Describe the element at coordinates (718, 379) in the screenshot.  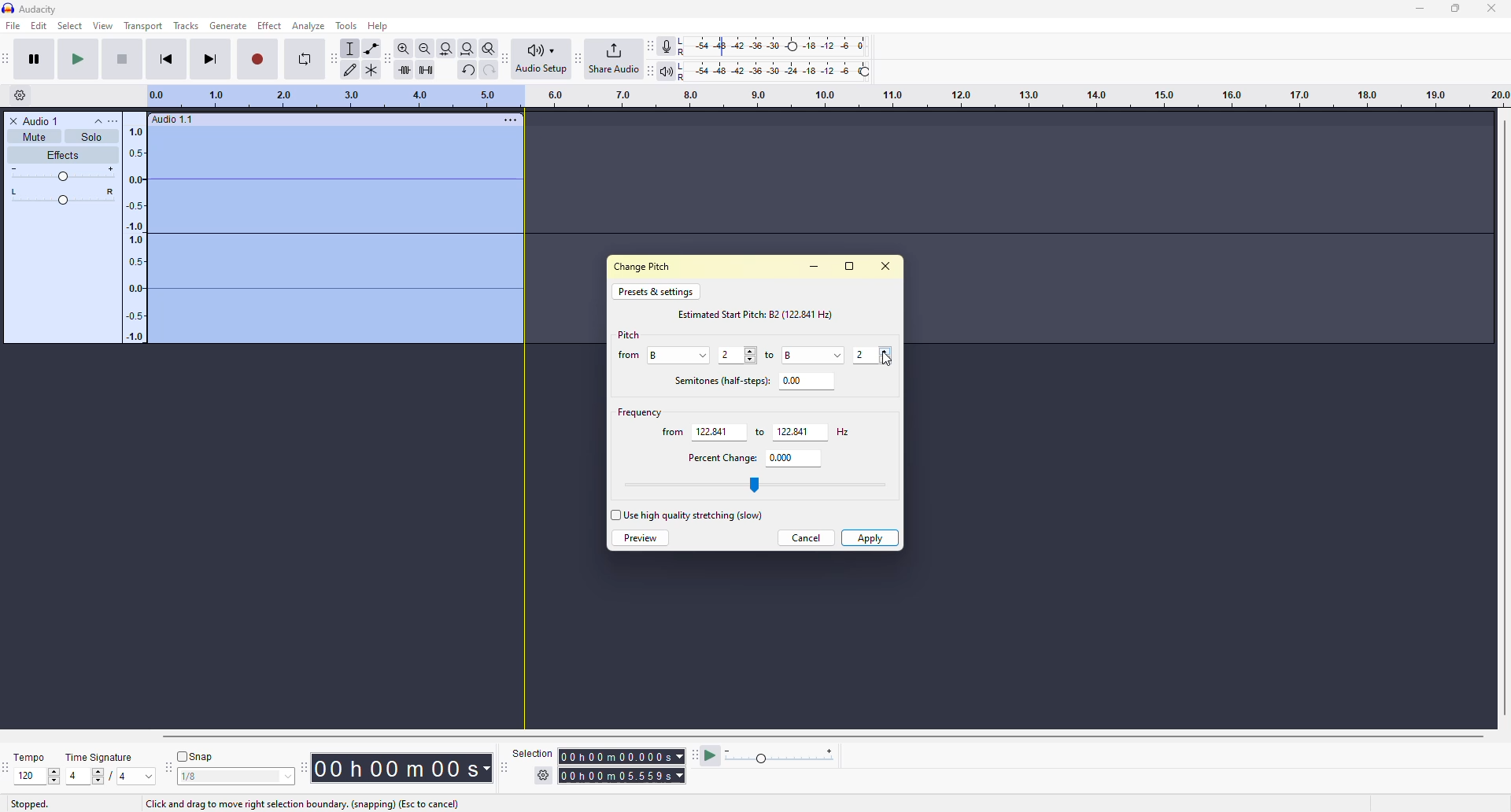
I see `semitones` at that location.